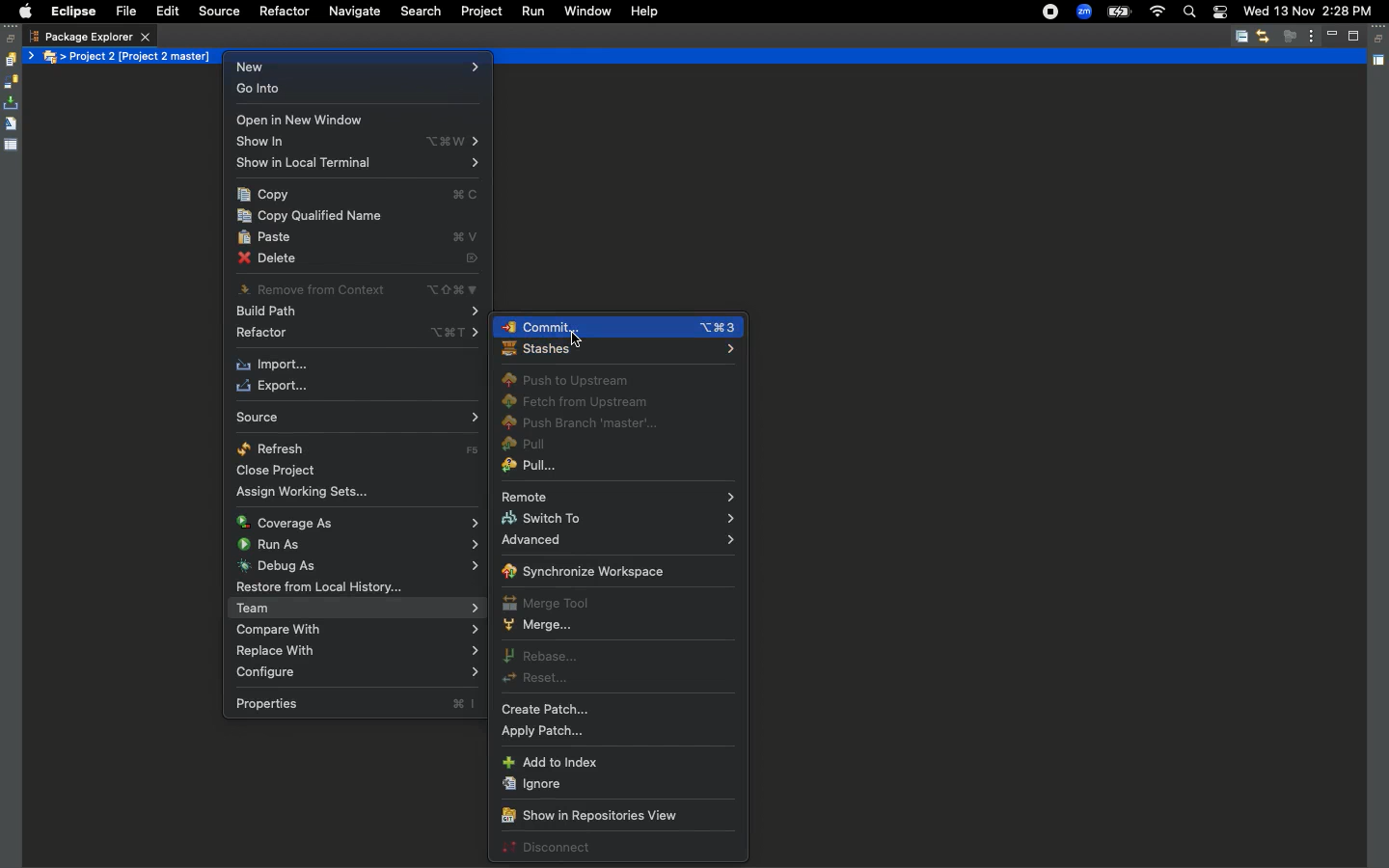  Describe the element at coordinates (363, 144) in the screenshot. I see `Show in` at that location.